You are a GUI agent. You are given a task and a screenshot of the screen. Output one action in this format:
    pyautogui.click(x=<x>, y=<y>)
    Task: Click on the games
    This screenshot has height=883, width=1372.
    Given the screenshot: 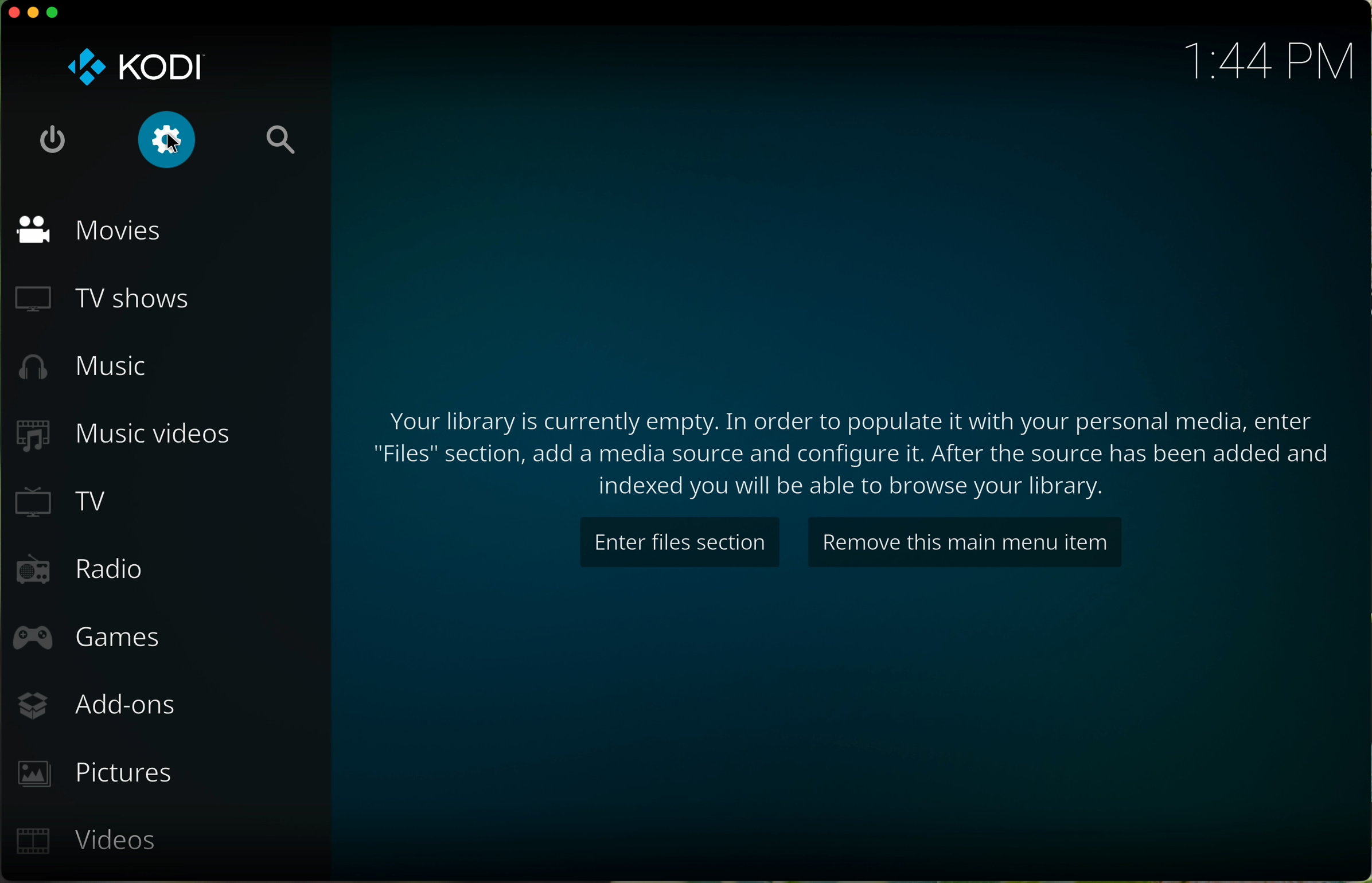 What is the action you would take?
    pyautogui.click(x=85, y=642)
    